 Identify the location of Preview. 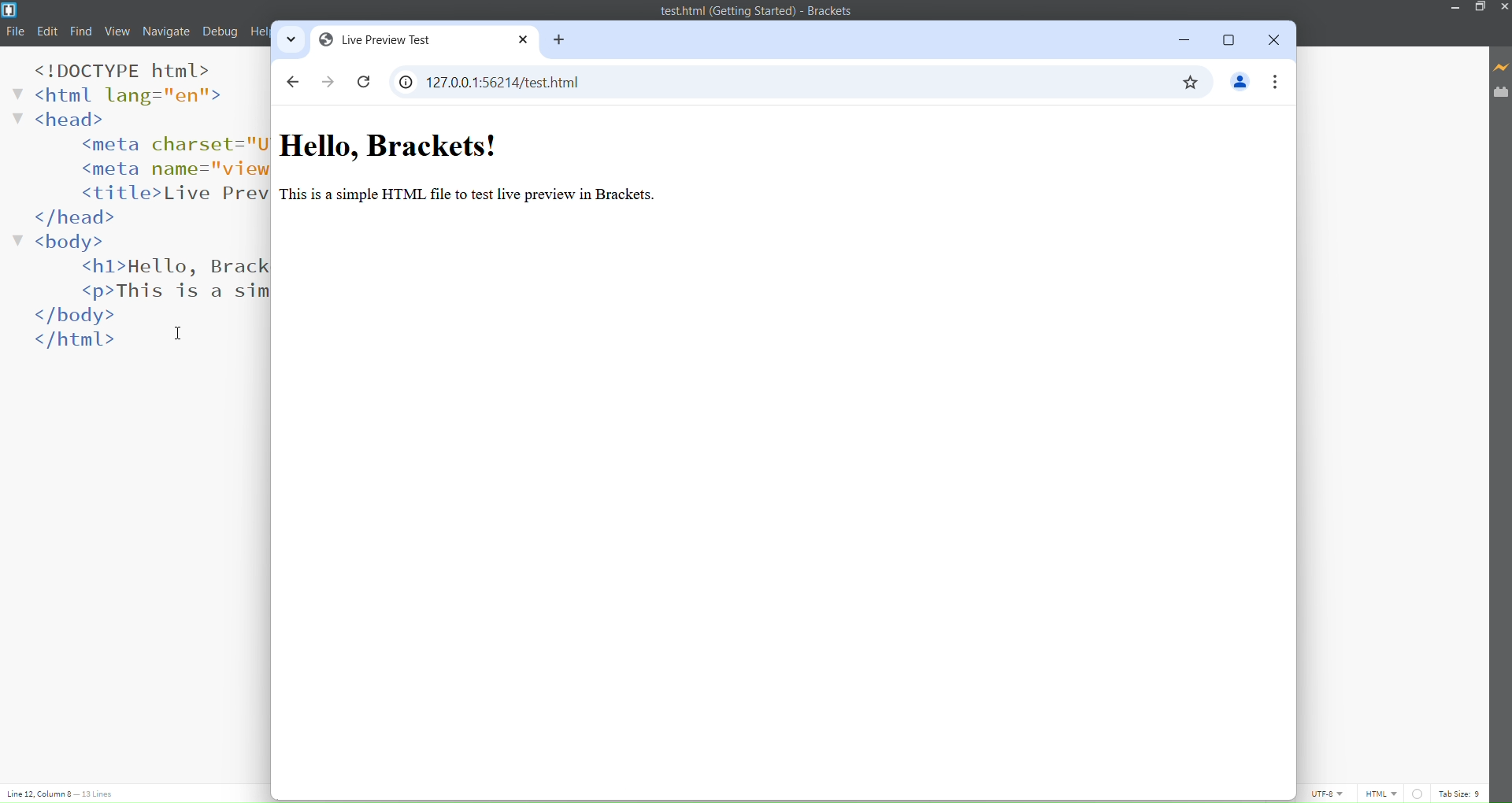
(785, 458).